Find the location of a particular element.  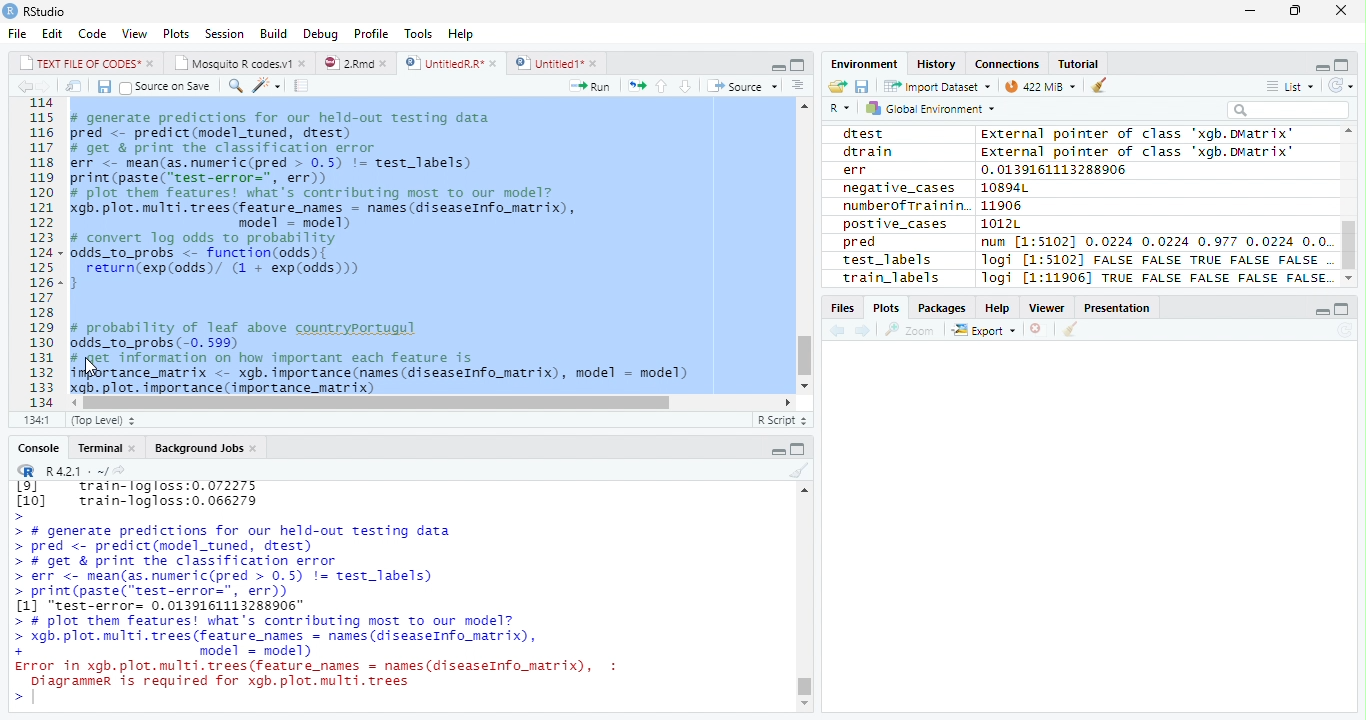

pred is located at coordinates (859, 243).